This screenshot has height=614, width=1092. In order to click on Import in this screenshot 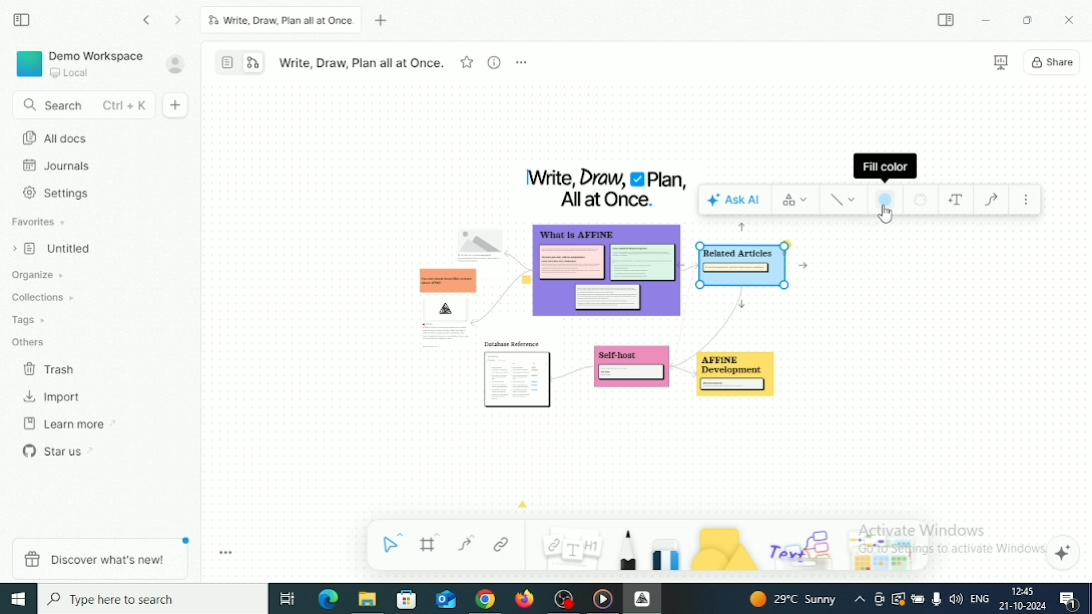, I will do `click(55, 397)`.